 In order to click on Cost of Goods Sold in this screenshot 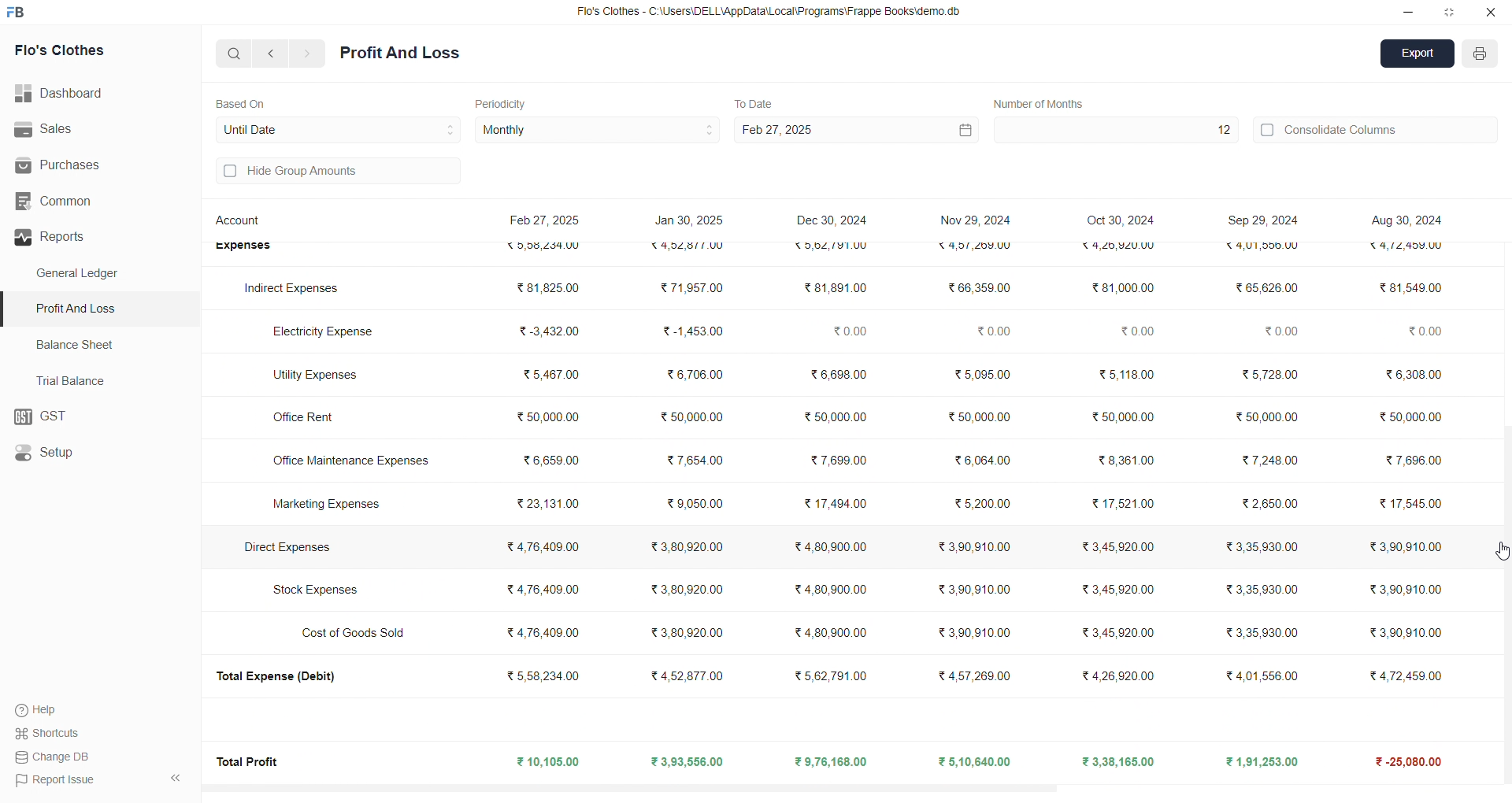, I will do `click(358, 632)`.